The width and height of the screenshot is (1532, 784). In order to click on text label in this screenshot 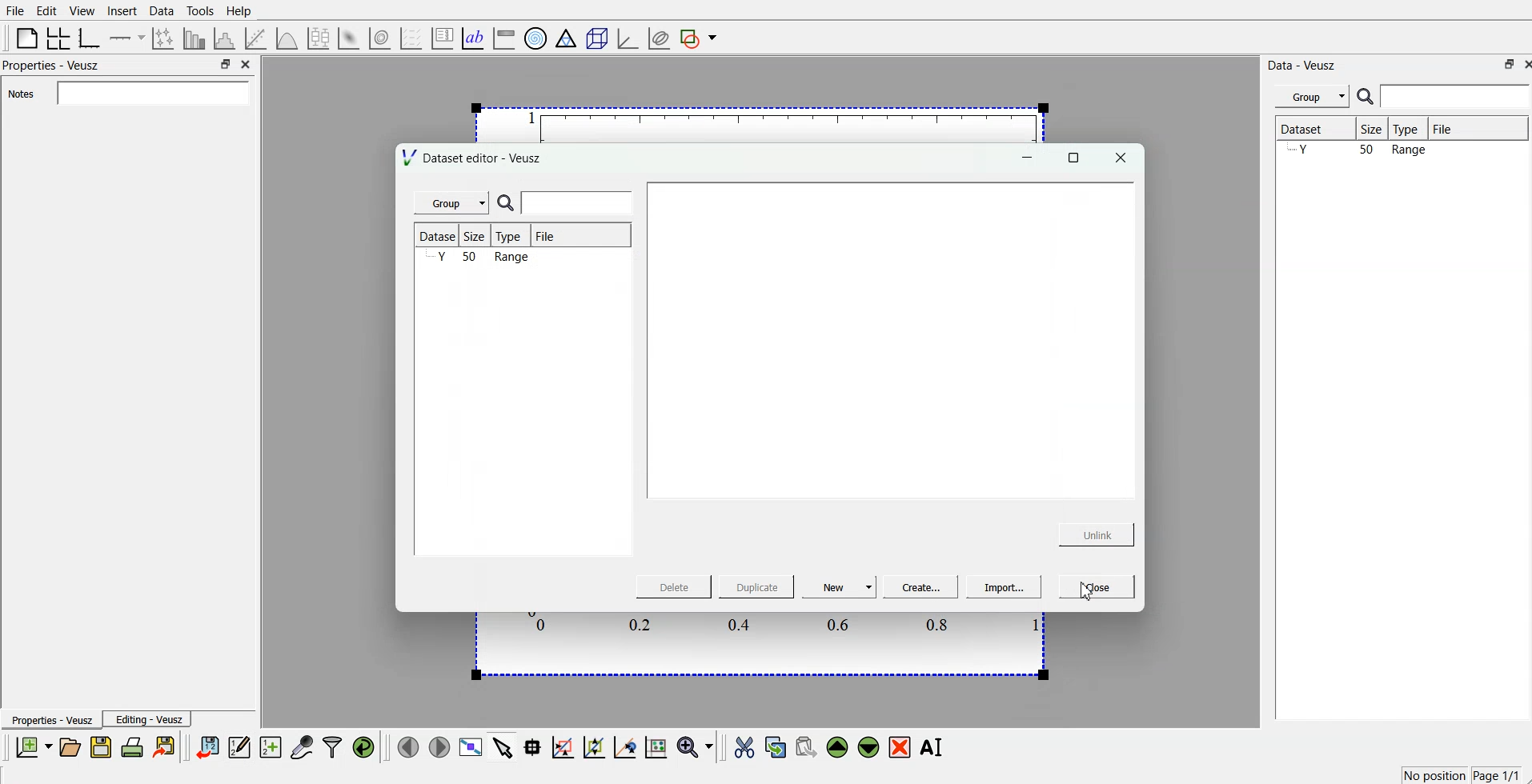, I will do `click(473, 37)`.